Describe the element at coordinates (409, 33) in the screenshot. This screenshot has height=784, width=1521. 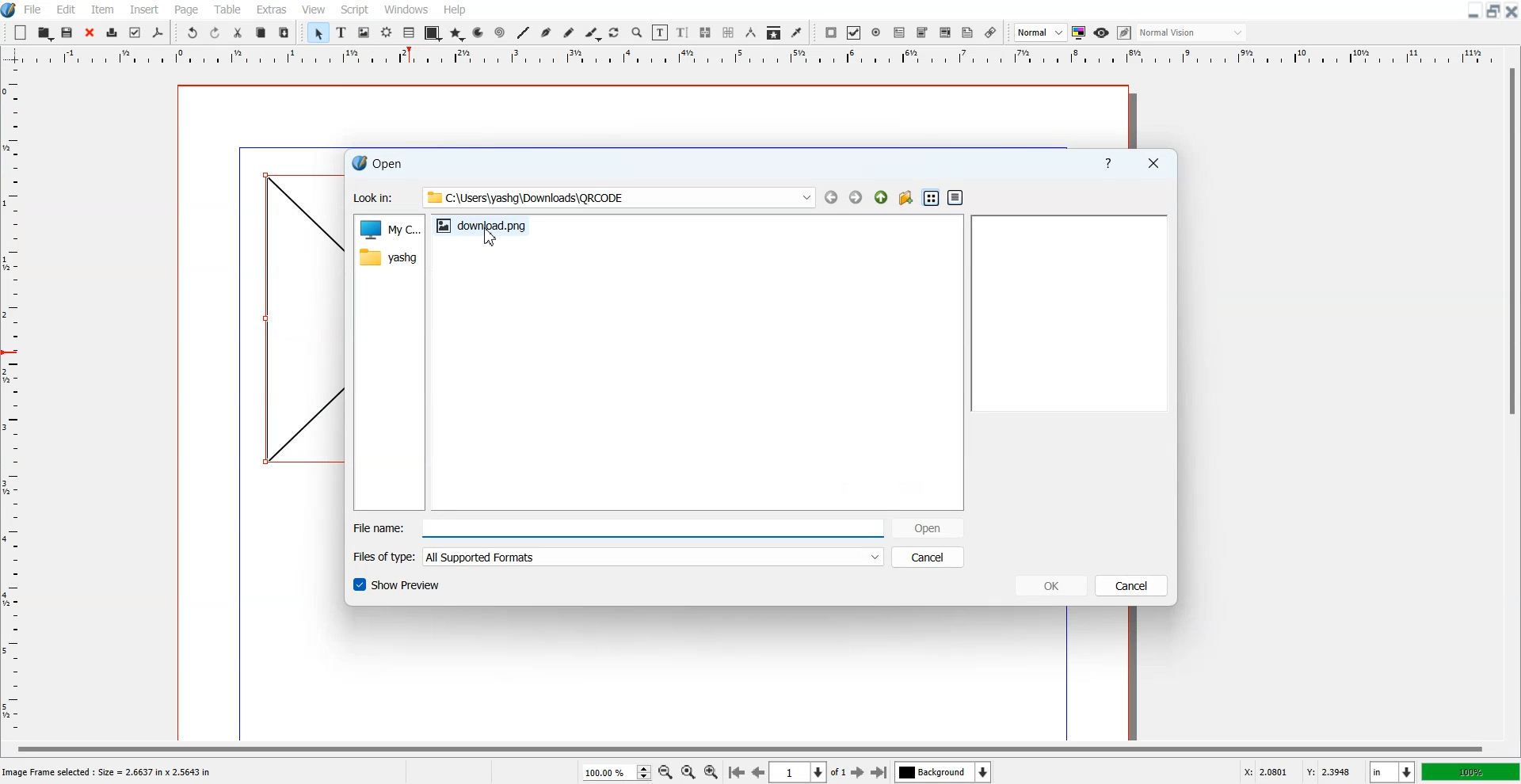
I see `Table` at that location.